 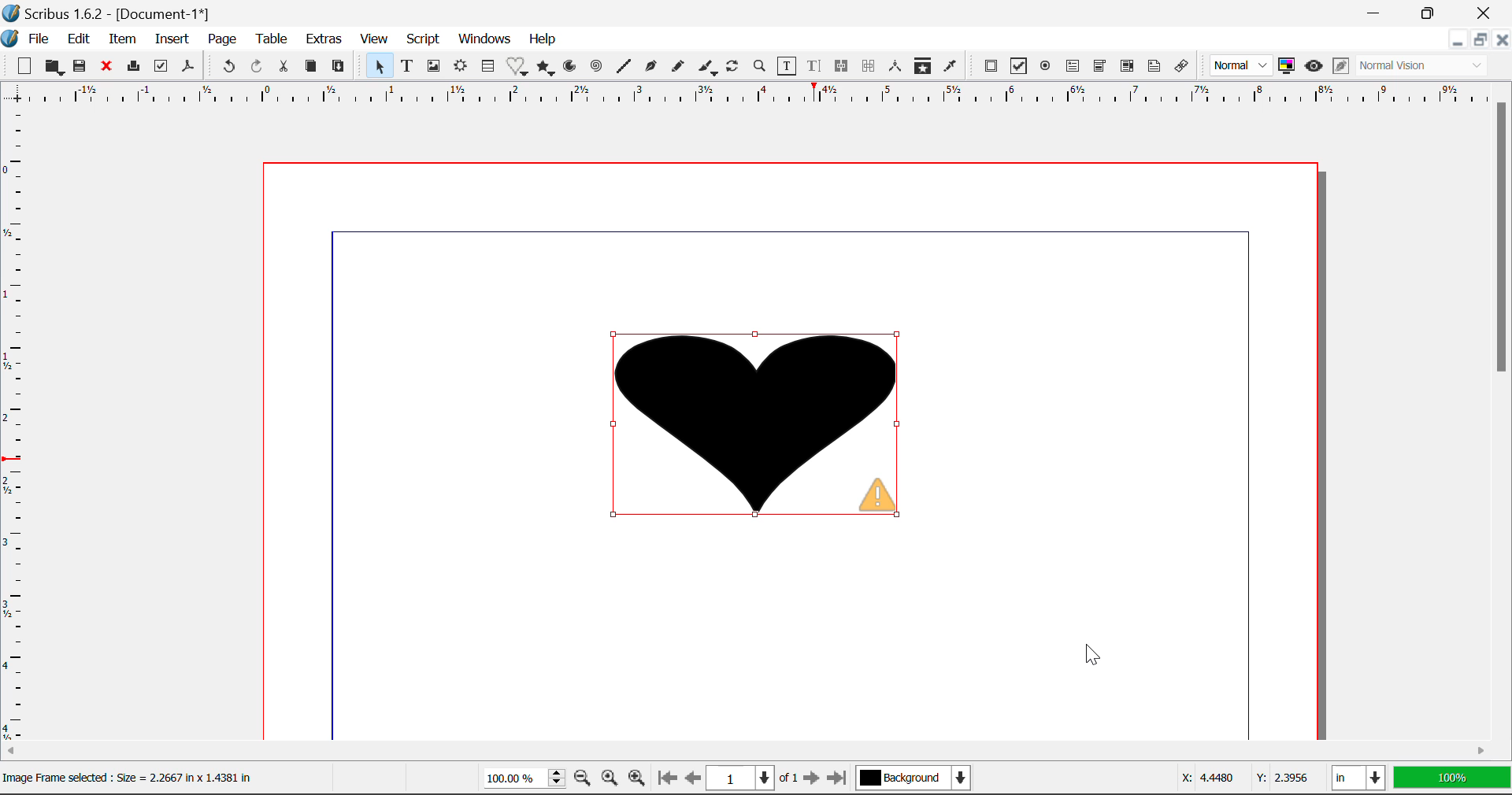 What do you see at coordinates (637, 779) in the screenshot?
I see `Zoom In` at bounding box center [637, 779].